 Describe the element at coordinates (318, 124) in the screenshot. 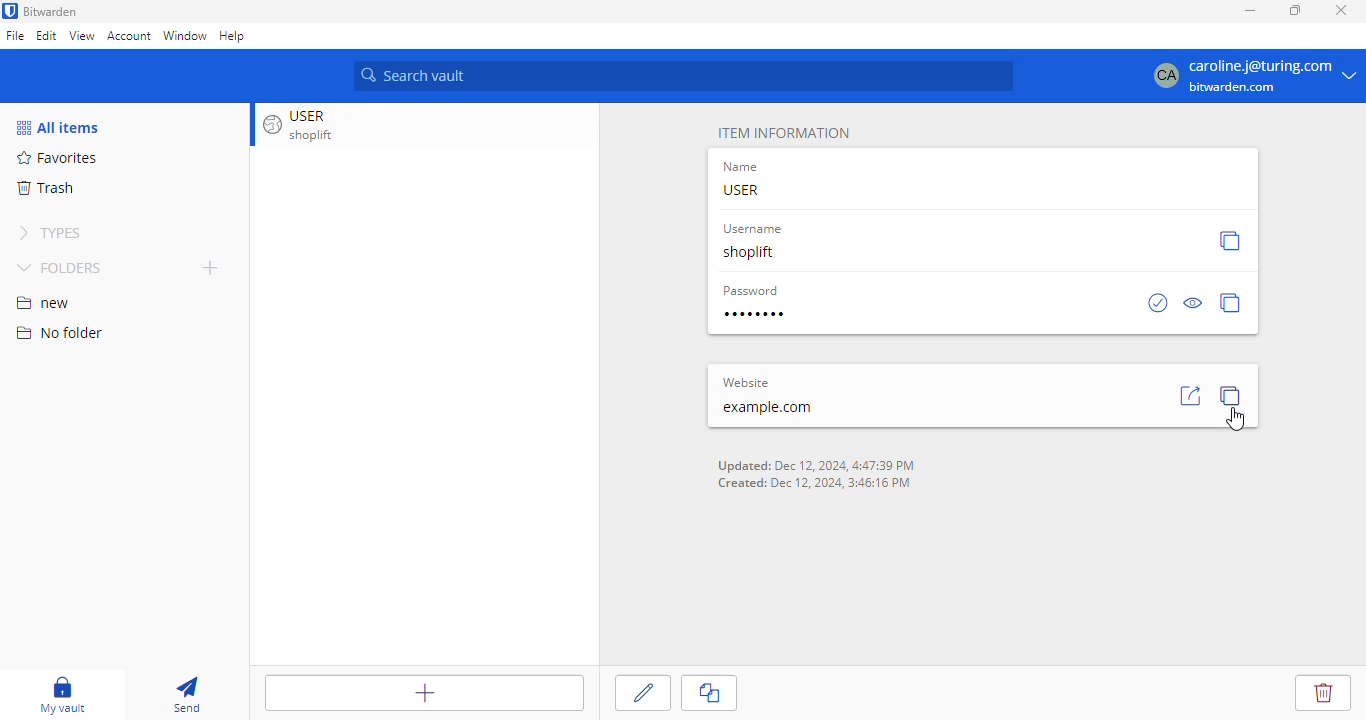

I see `USER   shoplift` at that location.